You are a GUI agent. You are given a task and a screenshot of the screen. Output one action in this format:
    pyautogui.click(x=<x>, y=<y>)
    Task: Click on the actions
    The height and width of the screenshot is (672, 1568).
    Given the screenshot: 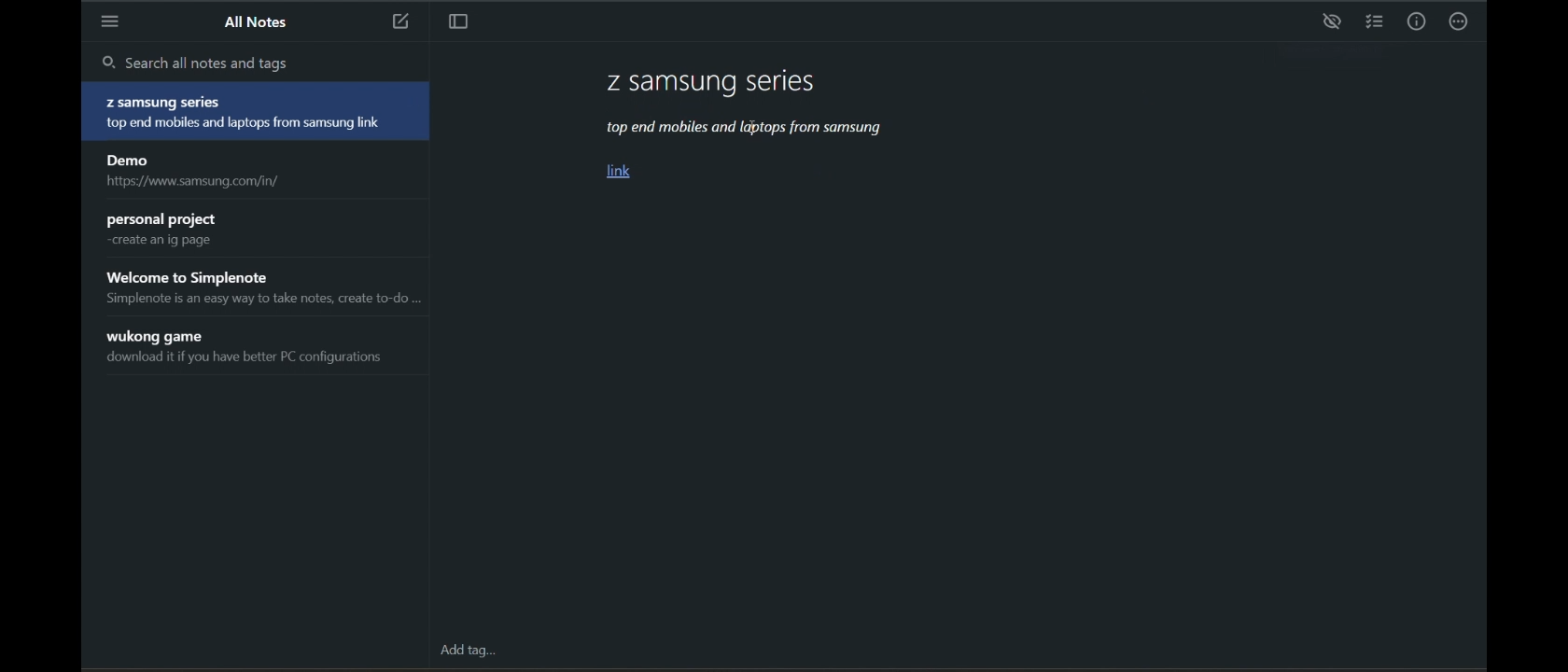 What is the action you would take?
    pyautogui.click(x=1460, y=22)
    